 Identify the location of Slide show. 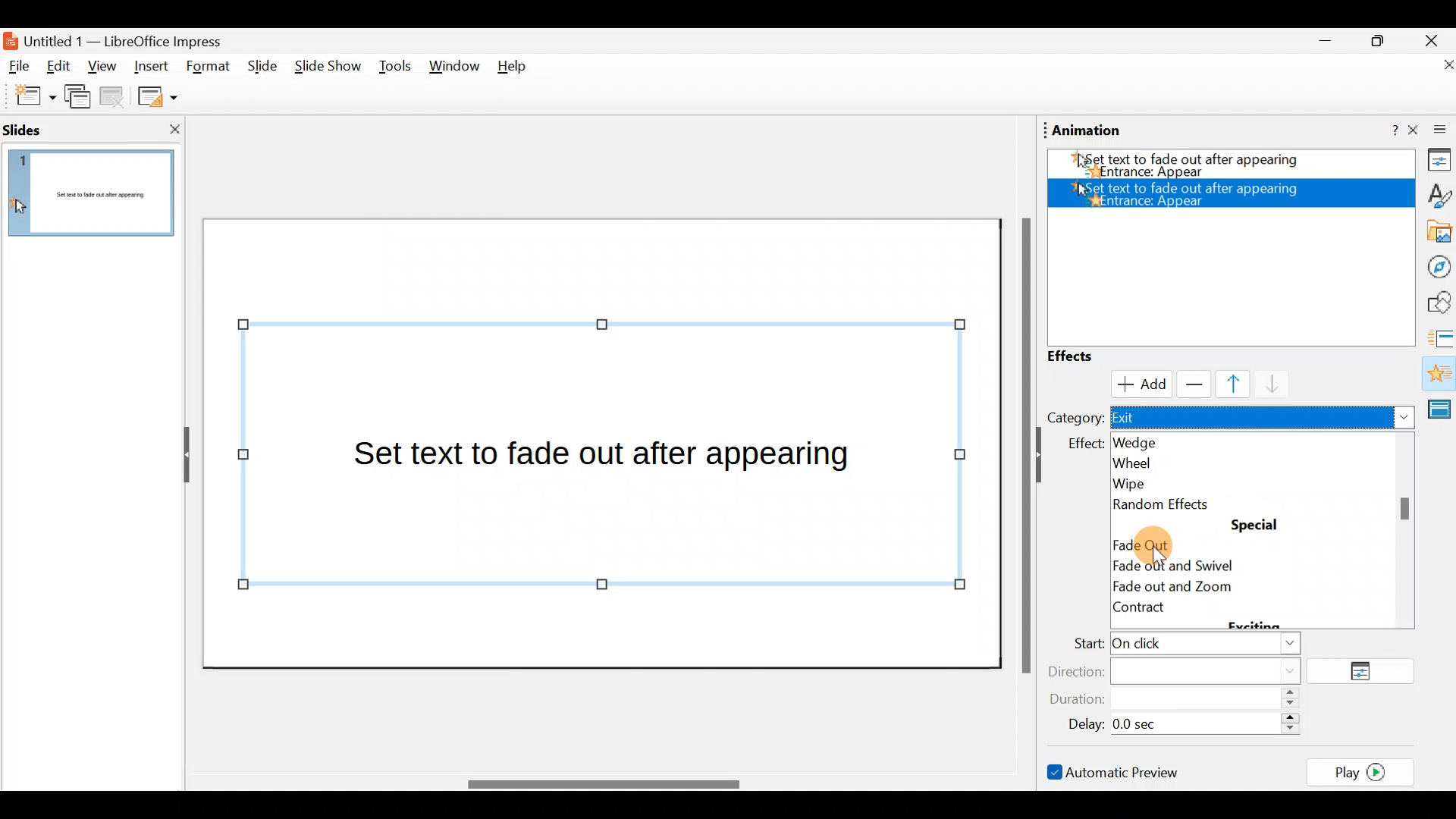
(326, 70).